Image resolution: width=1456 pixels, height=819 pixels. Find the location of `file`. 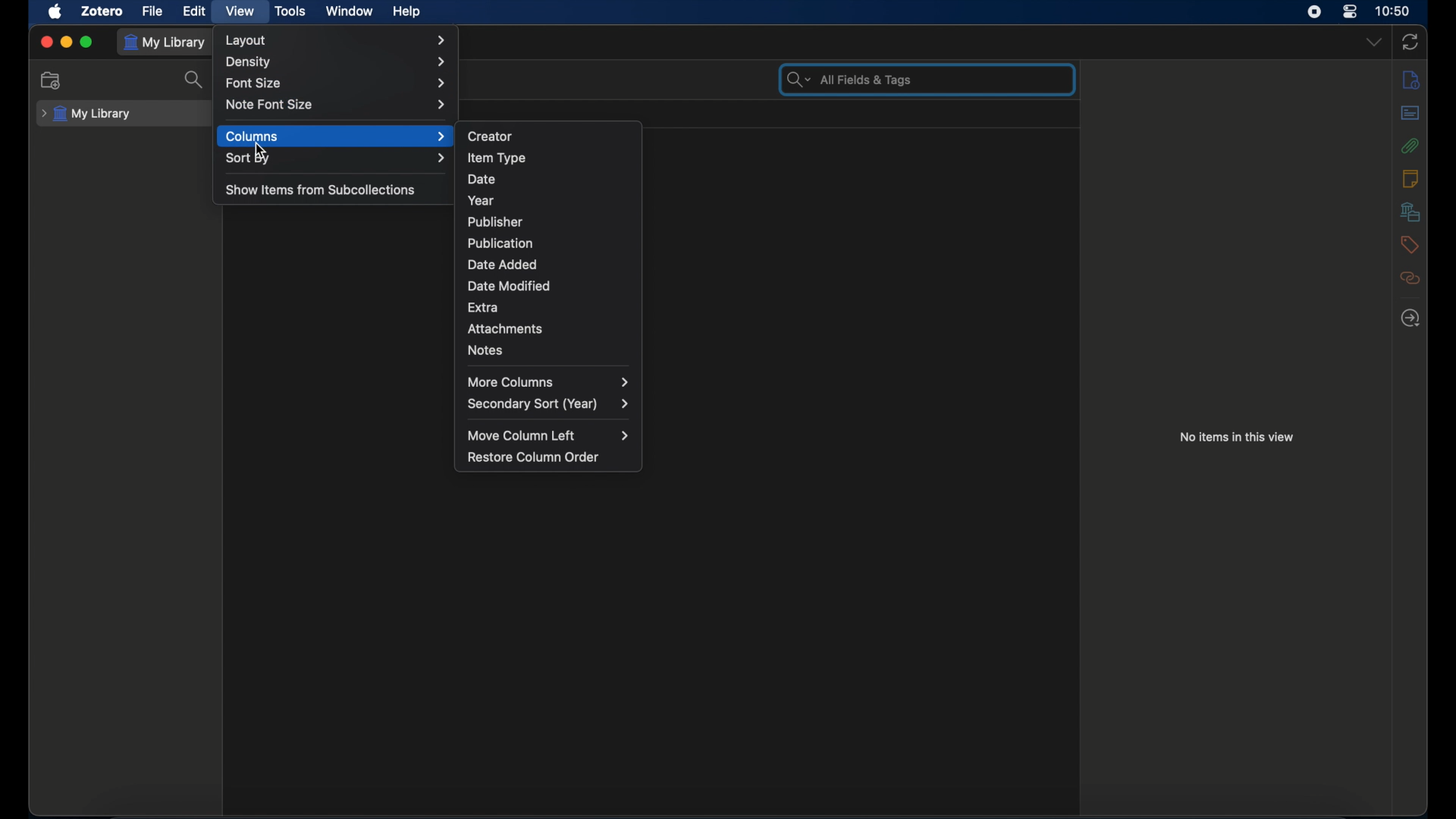

file is located at coordinates (152, 11).